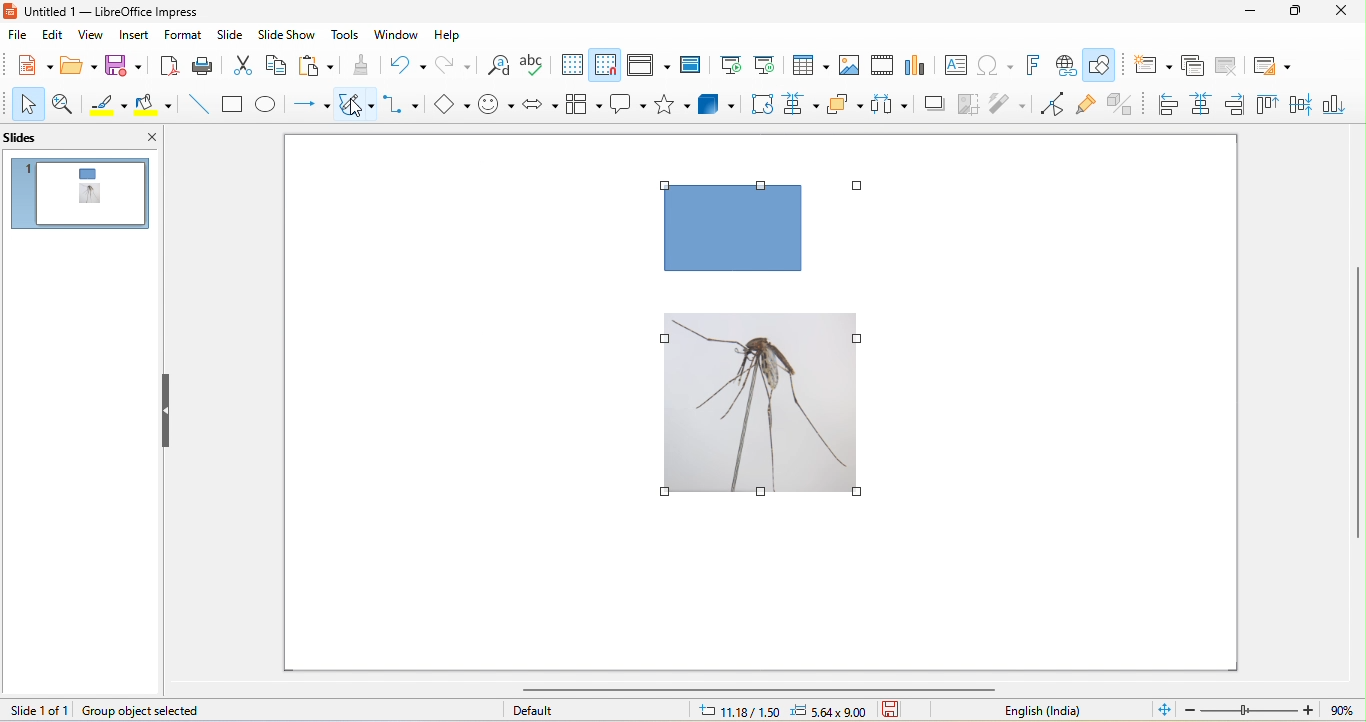 The width and height of the screenshot is (1366, 722). What do you see at coordinates (90, 187) in the screenshot?
I see `change of position appeared ` at bounding box center [90, 187].